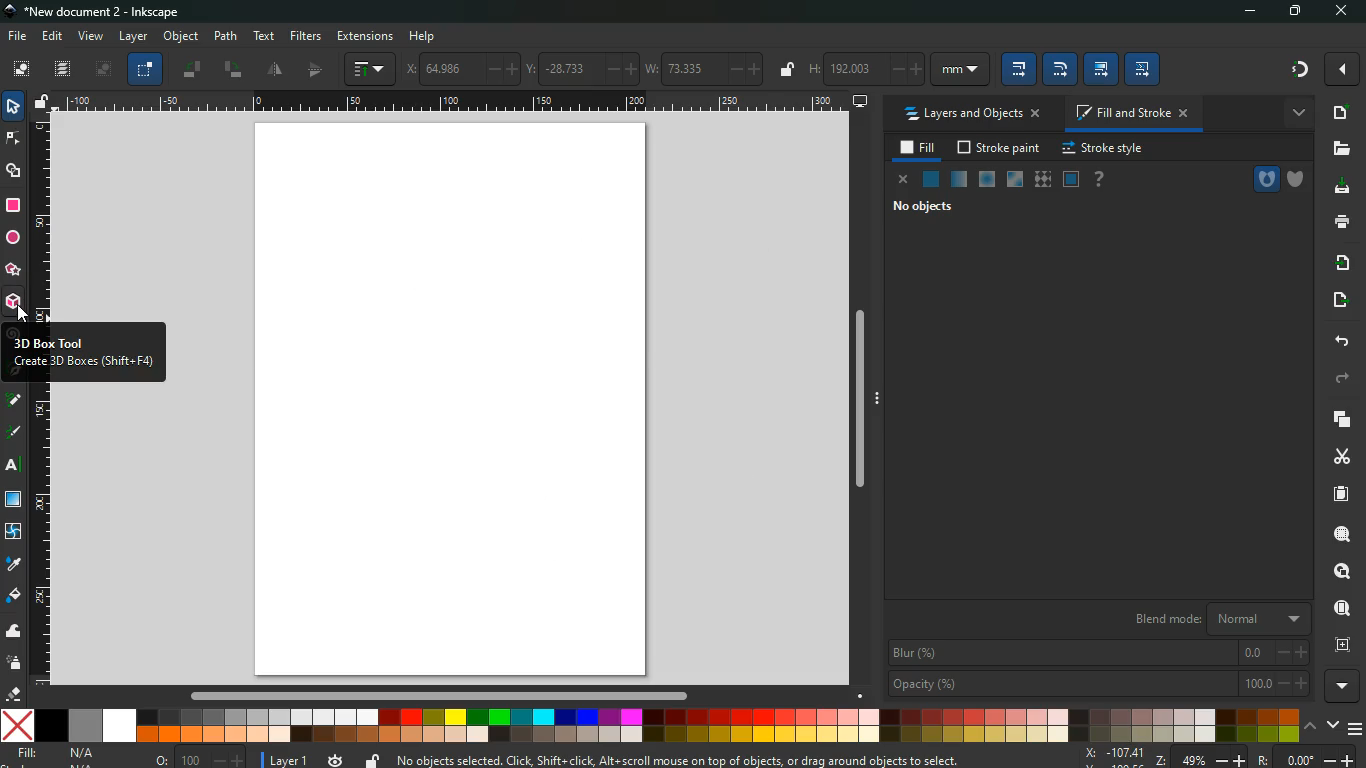 The image size is (1366, 768). Describe the element at coordinates (14, 434) in the screenshot. I see `highlight` at that location.